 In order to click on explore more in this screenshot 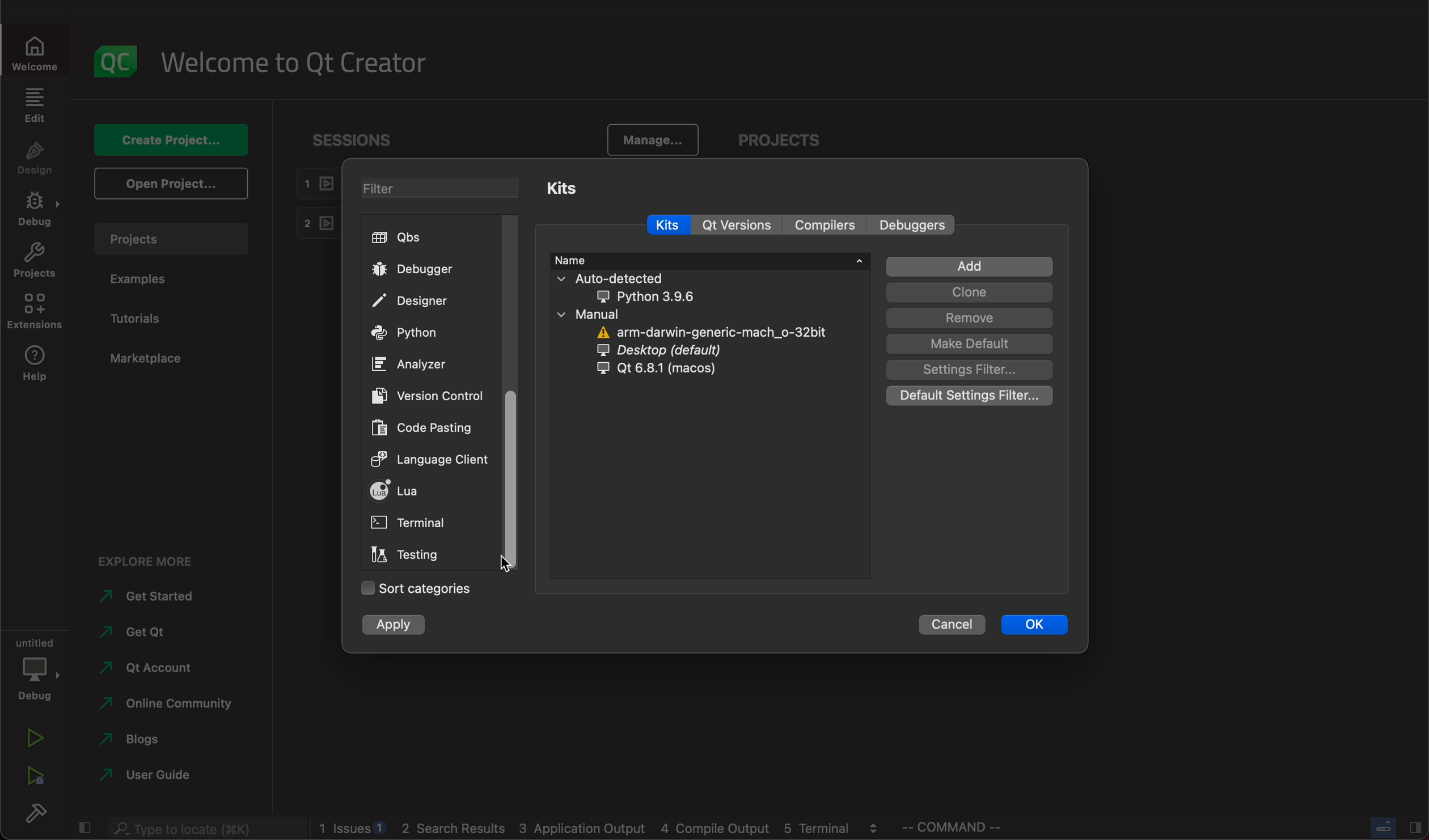, I will do `click(157, 559)`.